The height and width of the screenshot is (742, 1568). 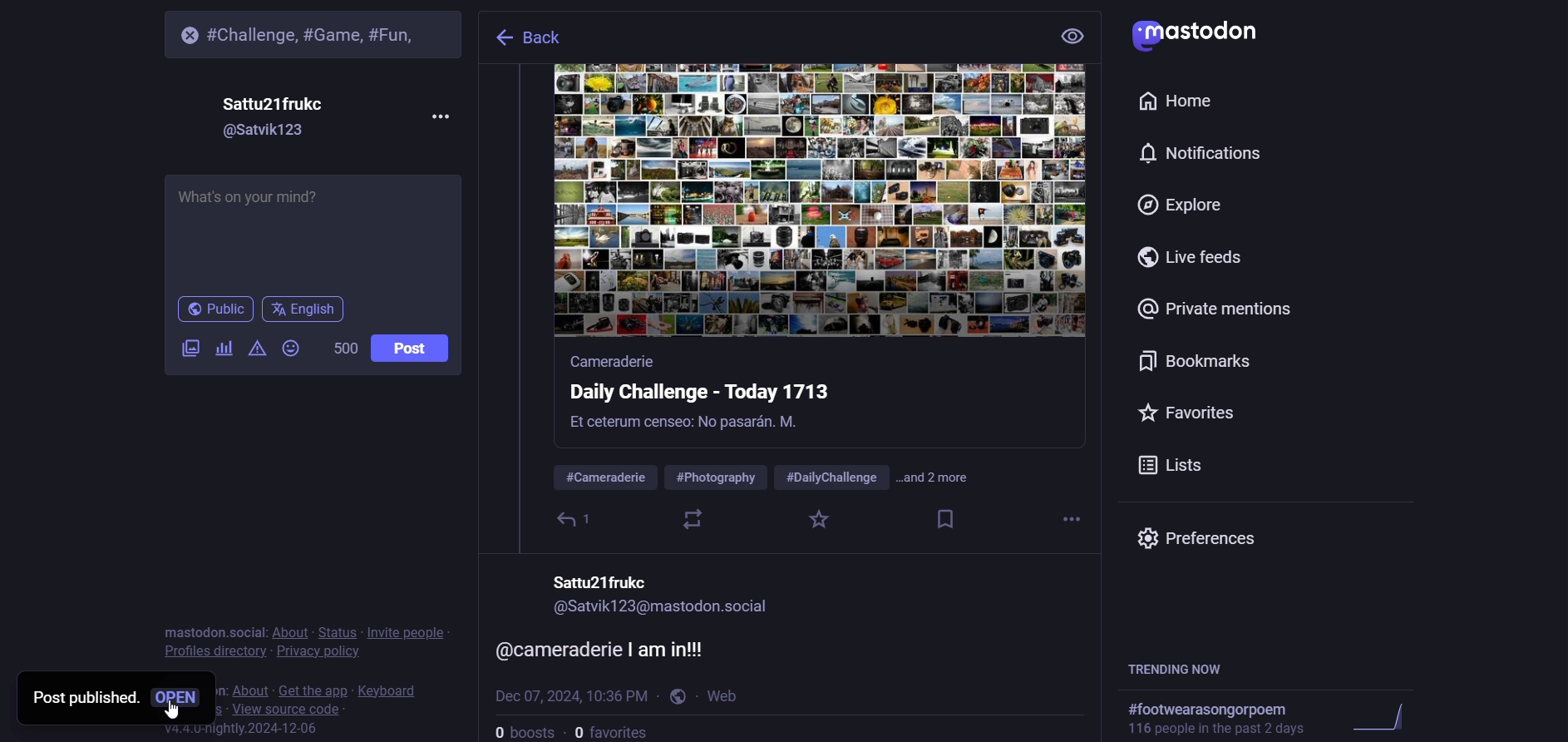 What do you see at coordinates (616, 646) in the screenshot?
I see `@cameraderie | am in!!!` at bounding box center [616, 646].